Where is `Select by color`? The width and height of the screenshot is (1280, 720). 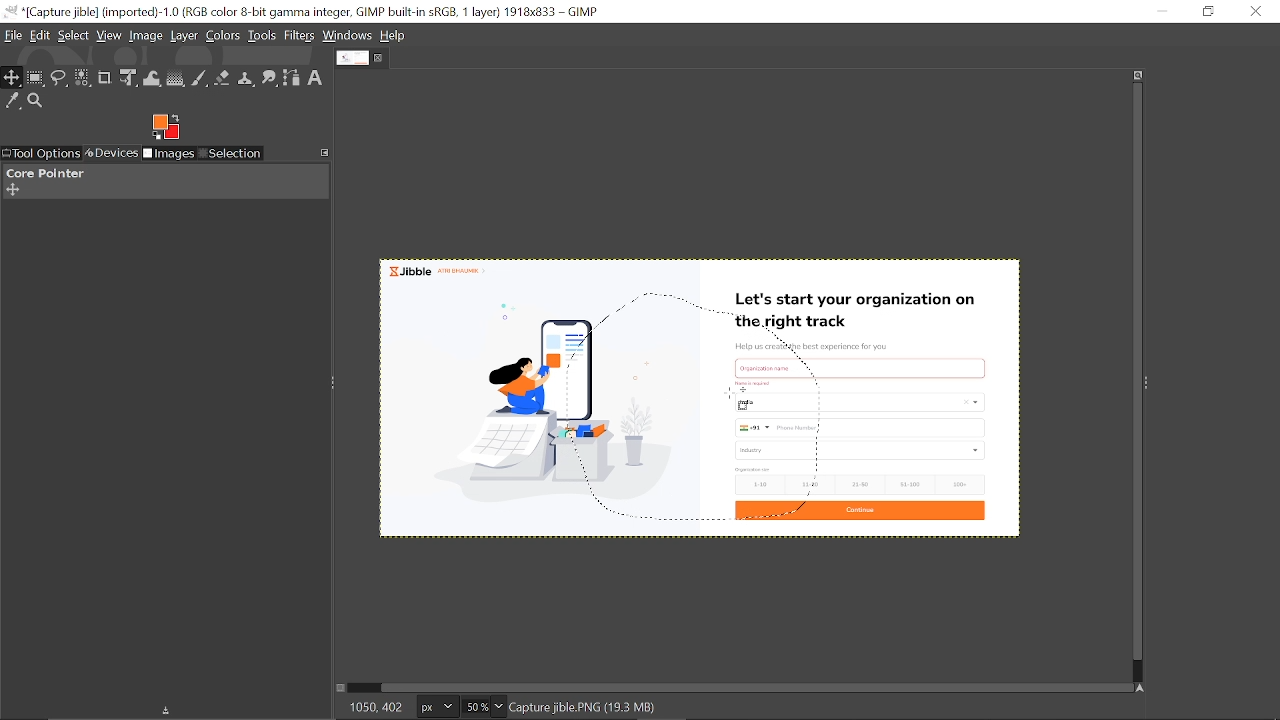
Select by color is located at coordinates (83, 79).